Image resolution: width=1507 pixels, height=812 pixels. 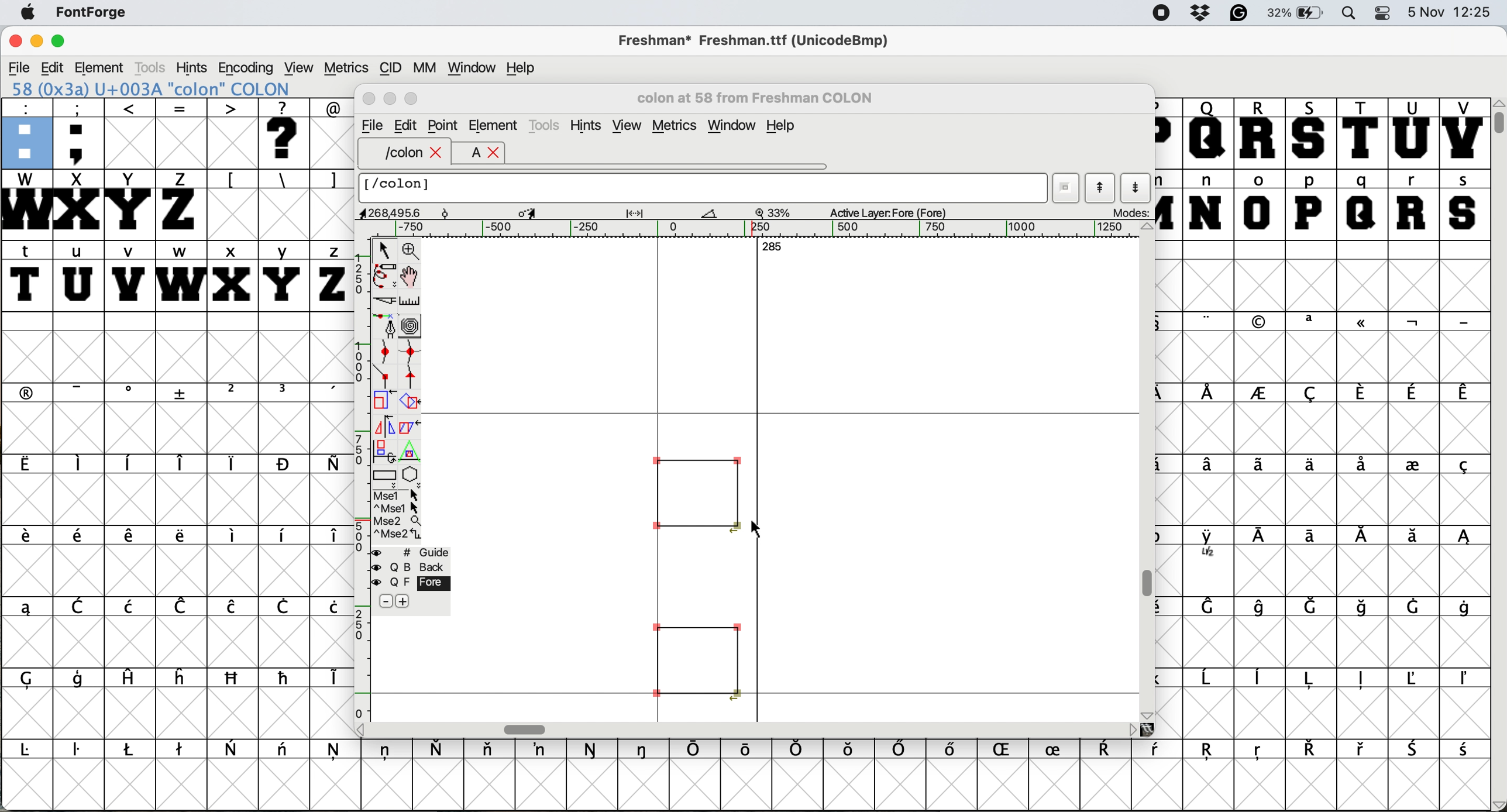 What do you see at coordinates (1210, 466) in the screenshot?
I see `symbol` at bounding box center [1210, 466].